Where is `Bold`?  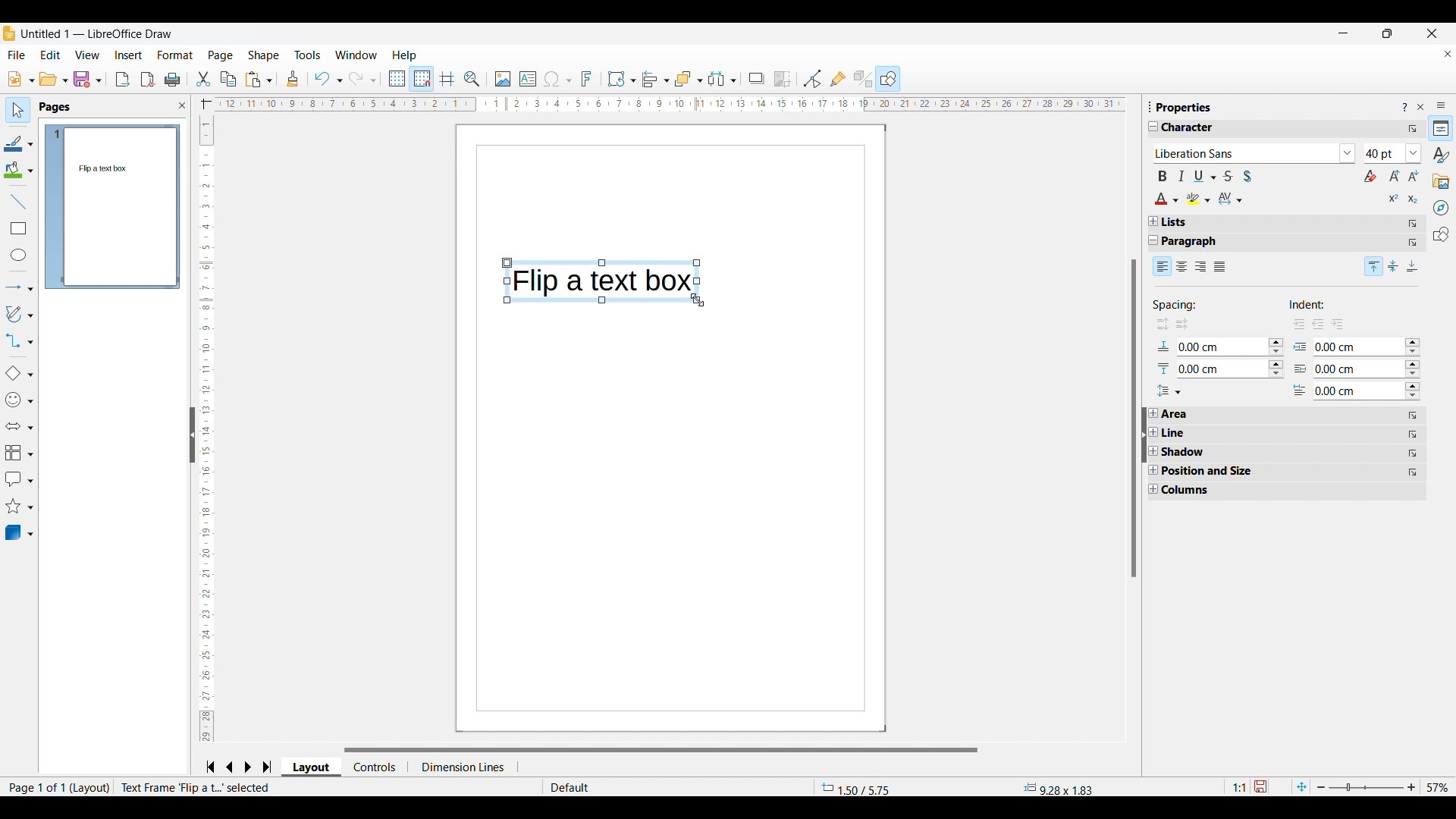
Bold is located at coordinates (1163, 176).